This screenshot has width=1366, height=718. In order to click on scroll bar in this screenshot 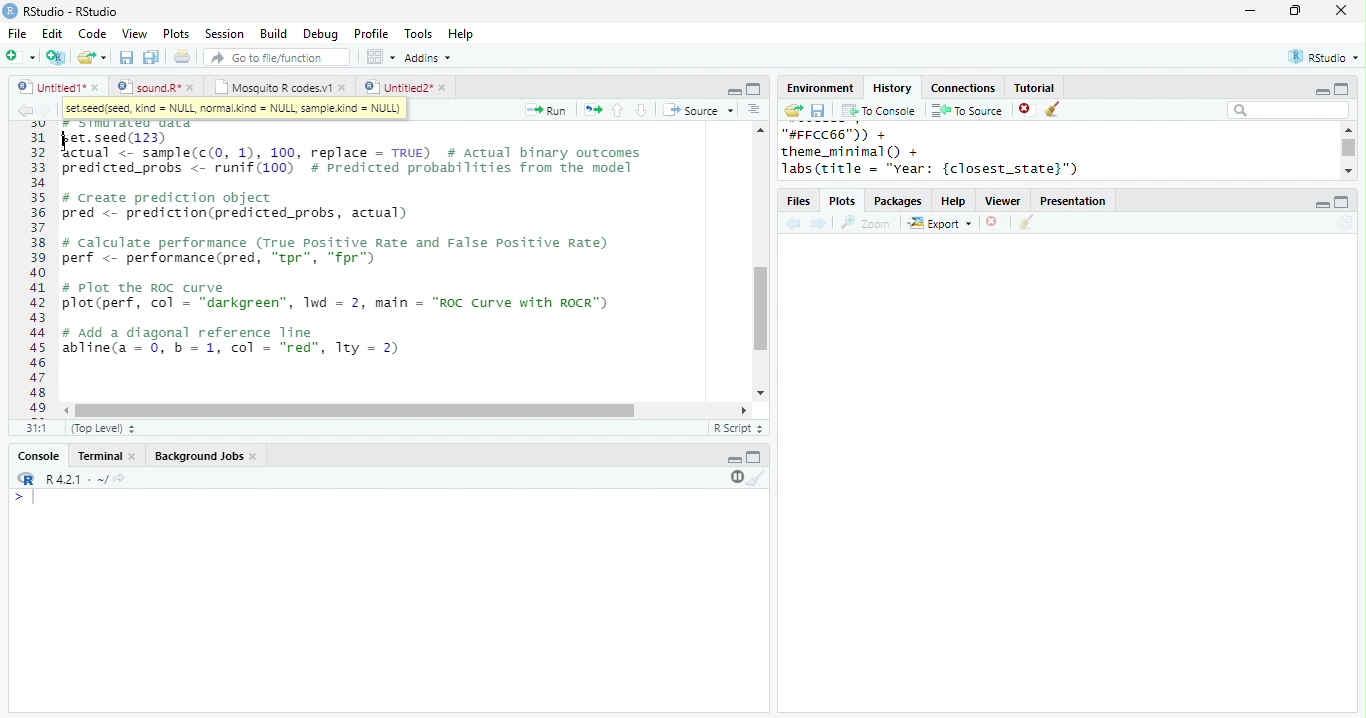, I will do `click(1350, 148)`.